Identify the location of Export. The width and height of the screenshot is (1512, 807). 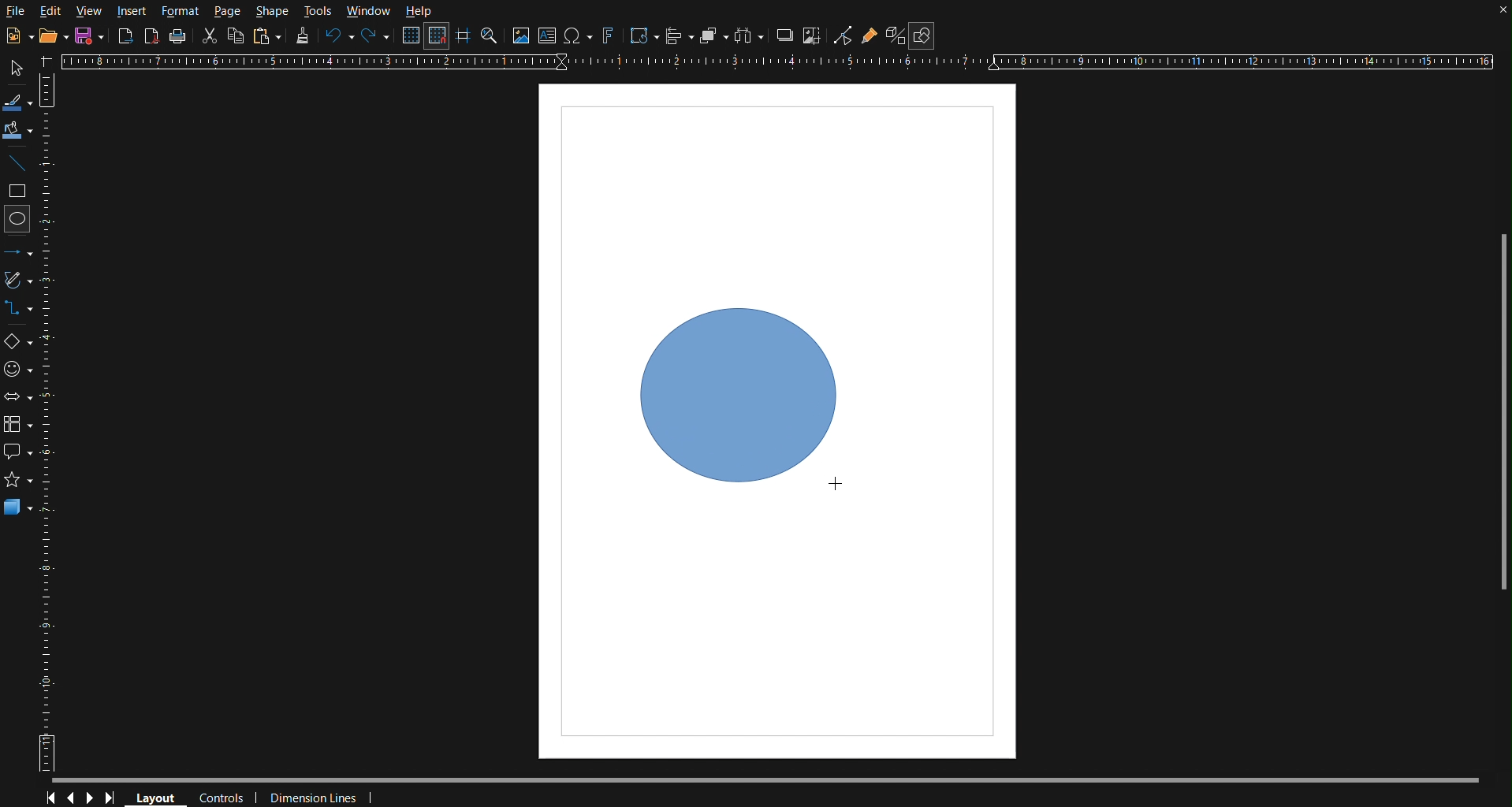
(125, 36).